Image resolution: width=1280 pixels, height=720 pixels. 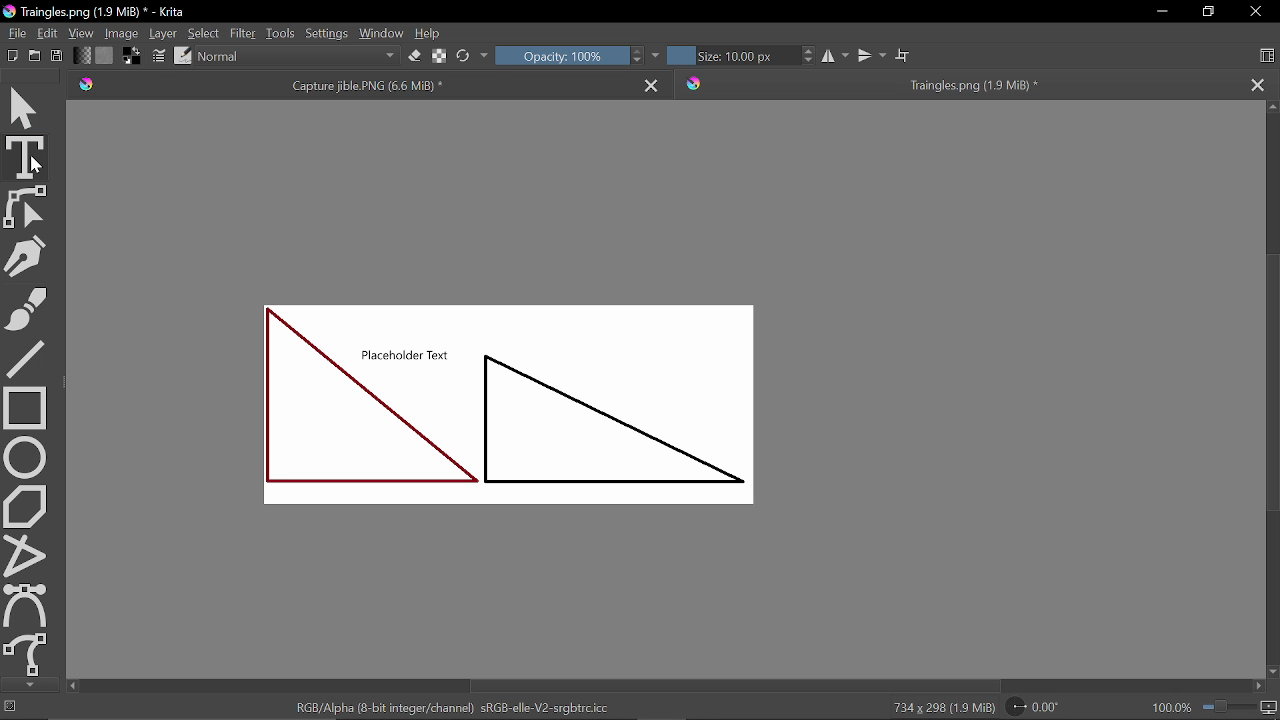 What do you see at coordinates (1272, 671) in the screenshot?
I see `Move down` at bounding box center [1272, 671].